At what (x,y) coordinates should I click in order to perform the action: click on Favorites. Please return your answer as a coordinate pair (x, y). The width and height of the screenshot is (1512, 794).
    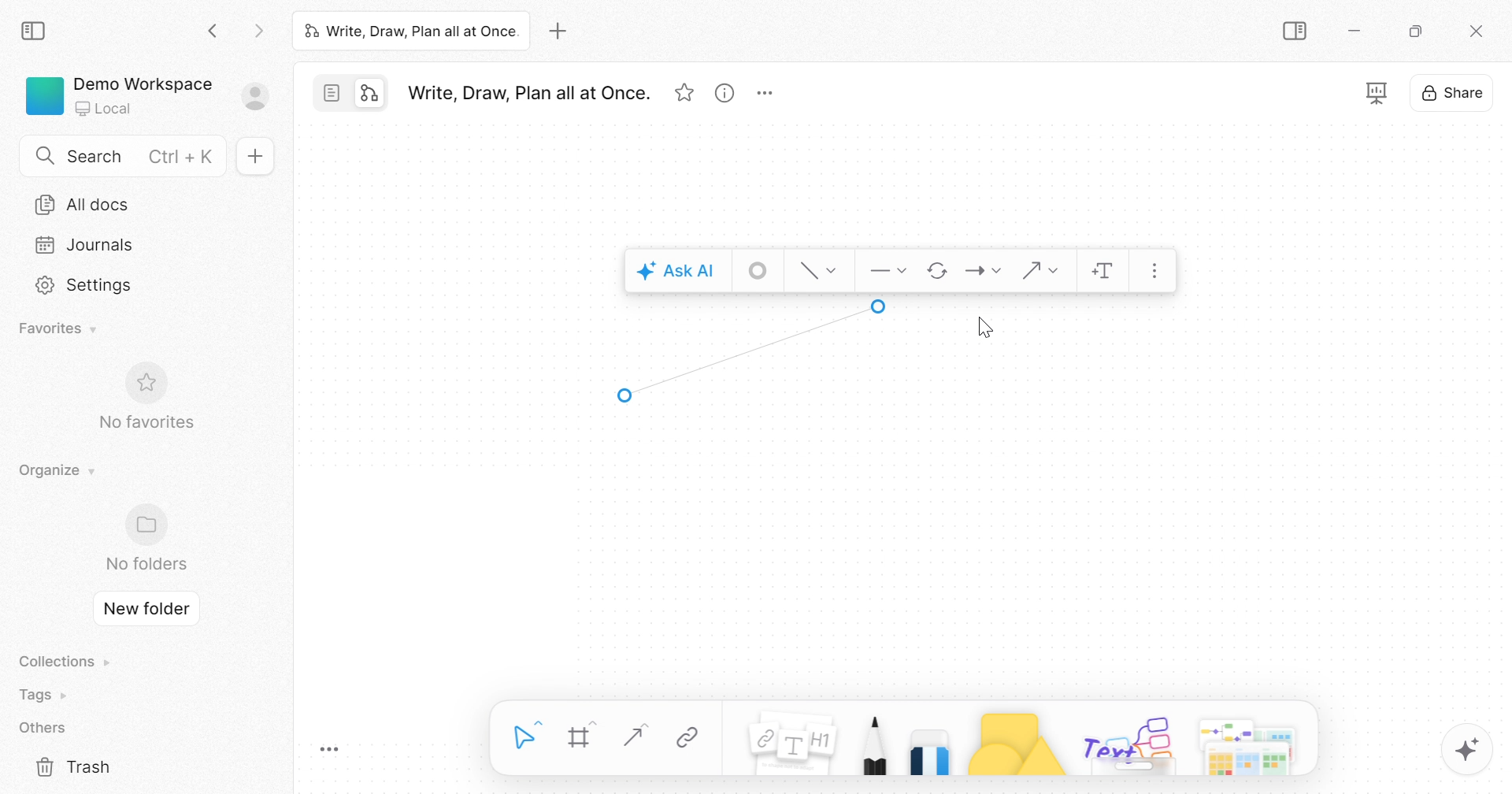
    Looking at the image, I should click on (61, 327).